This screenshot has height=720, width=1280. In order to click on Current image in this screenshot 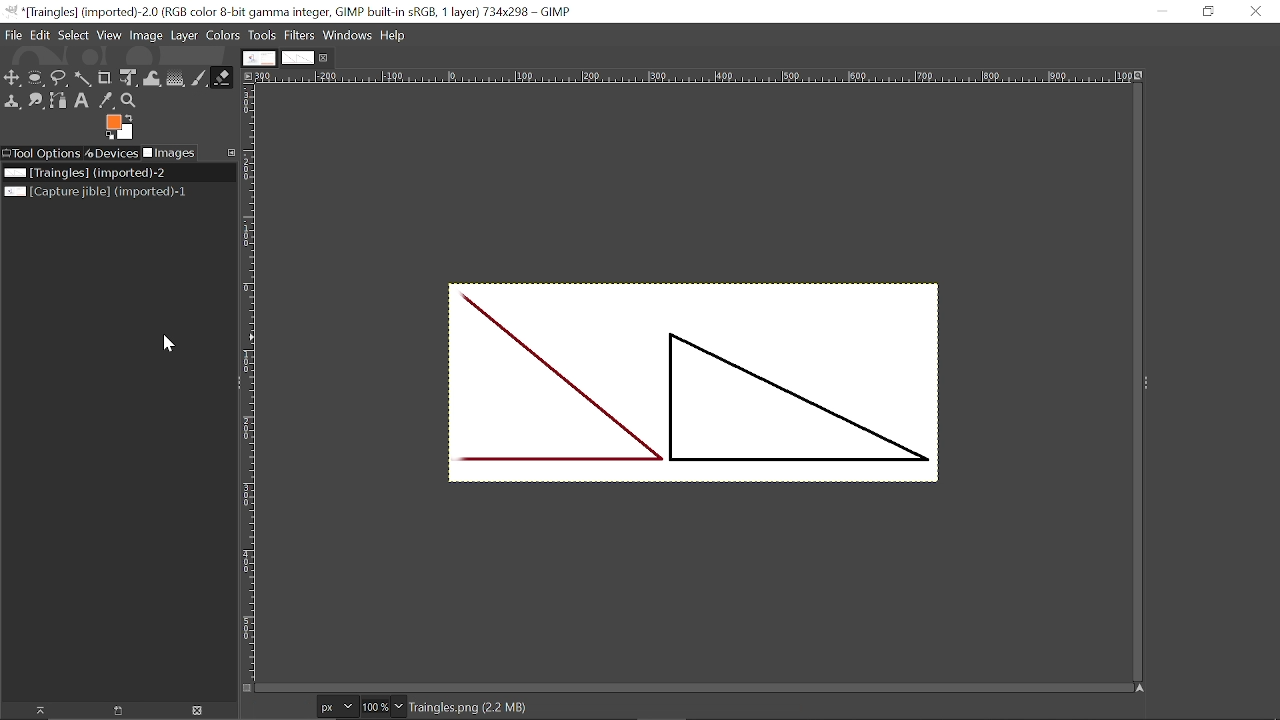, I will do `click(85, 173)`.